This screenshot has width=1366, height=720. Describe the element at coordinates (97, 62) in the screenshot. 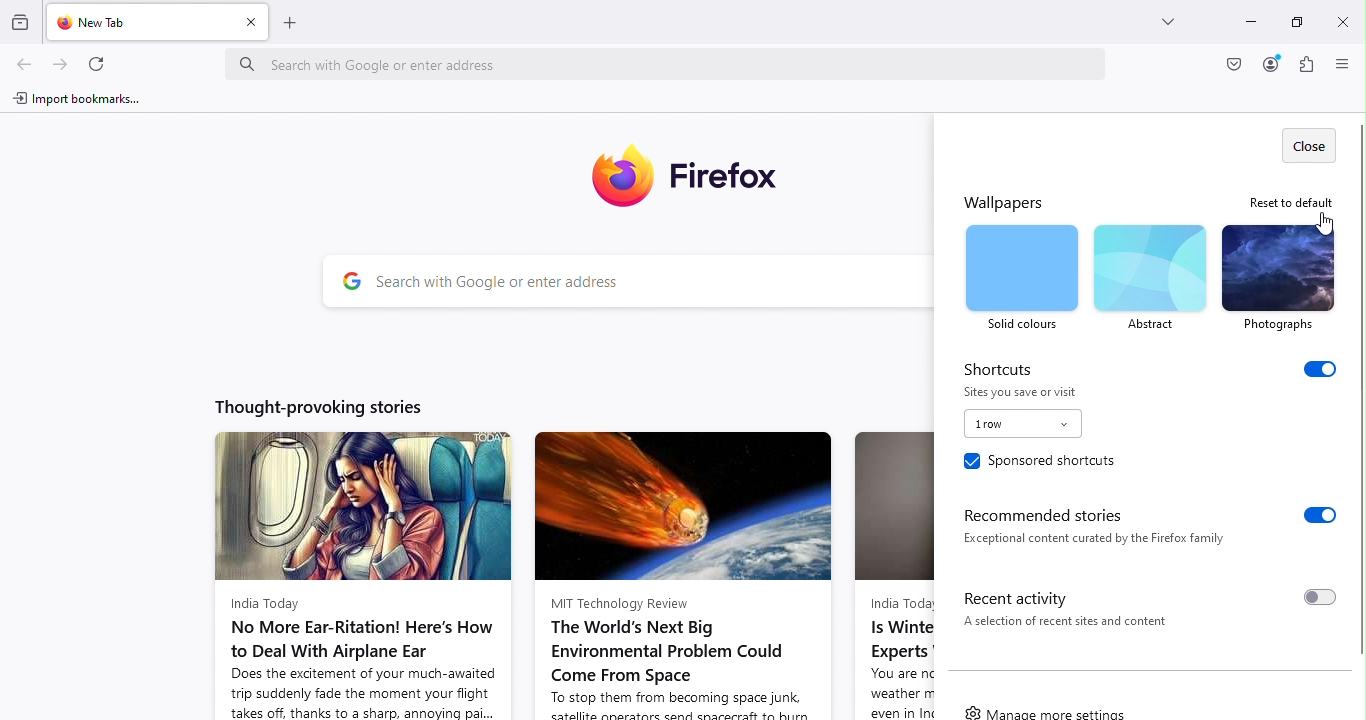

I see `Reload the current page` at that location.